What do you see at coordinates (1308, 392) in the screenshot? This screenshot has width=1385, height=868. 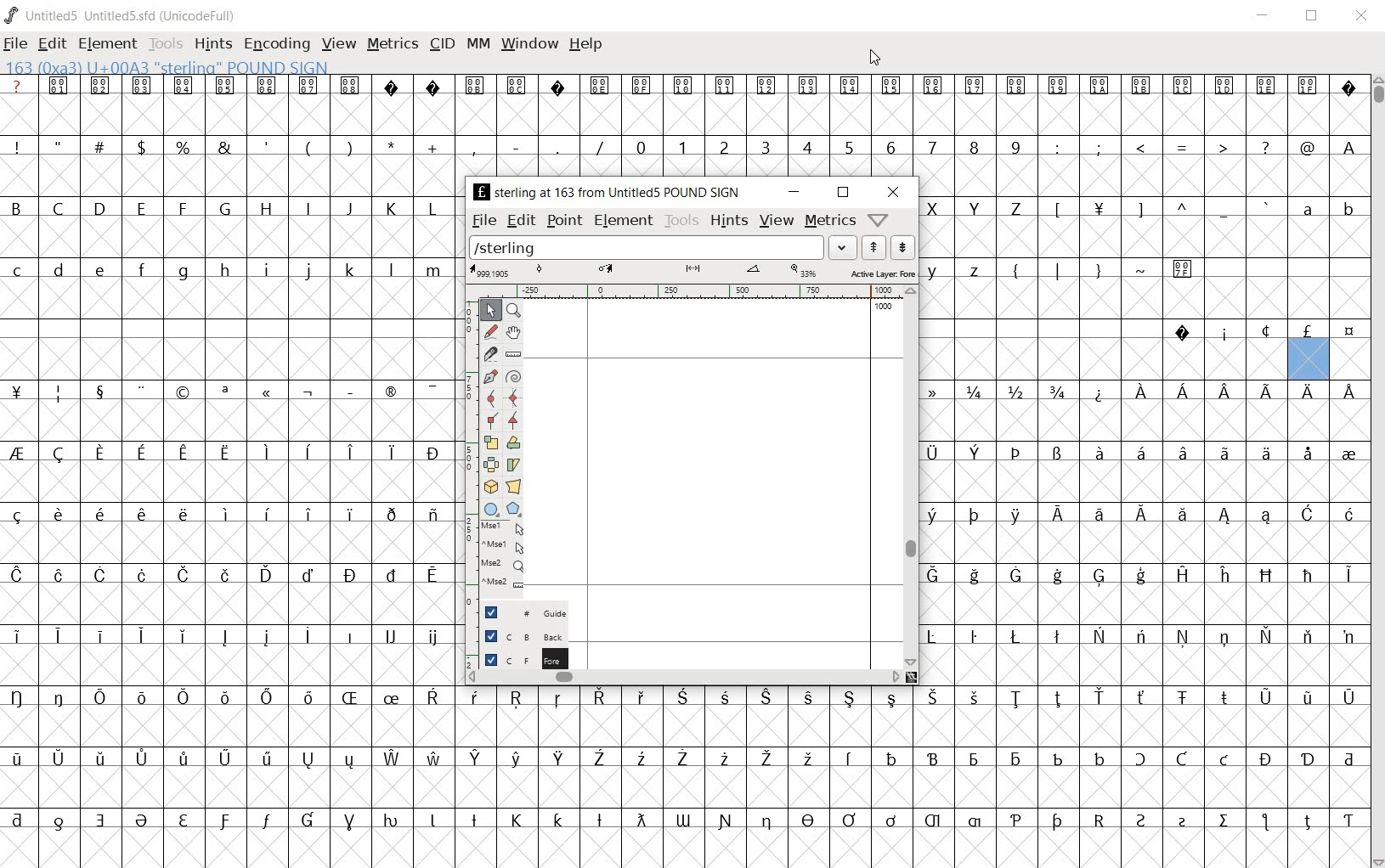 I see `Symbol` at bounding box center [1308, 392].